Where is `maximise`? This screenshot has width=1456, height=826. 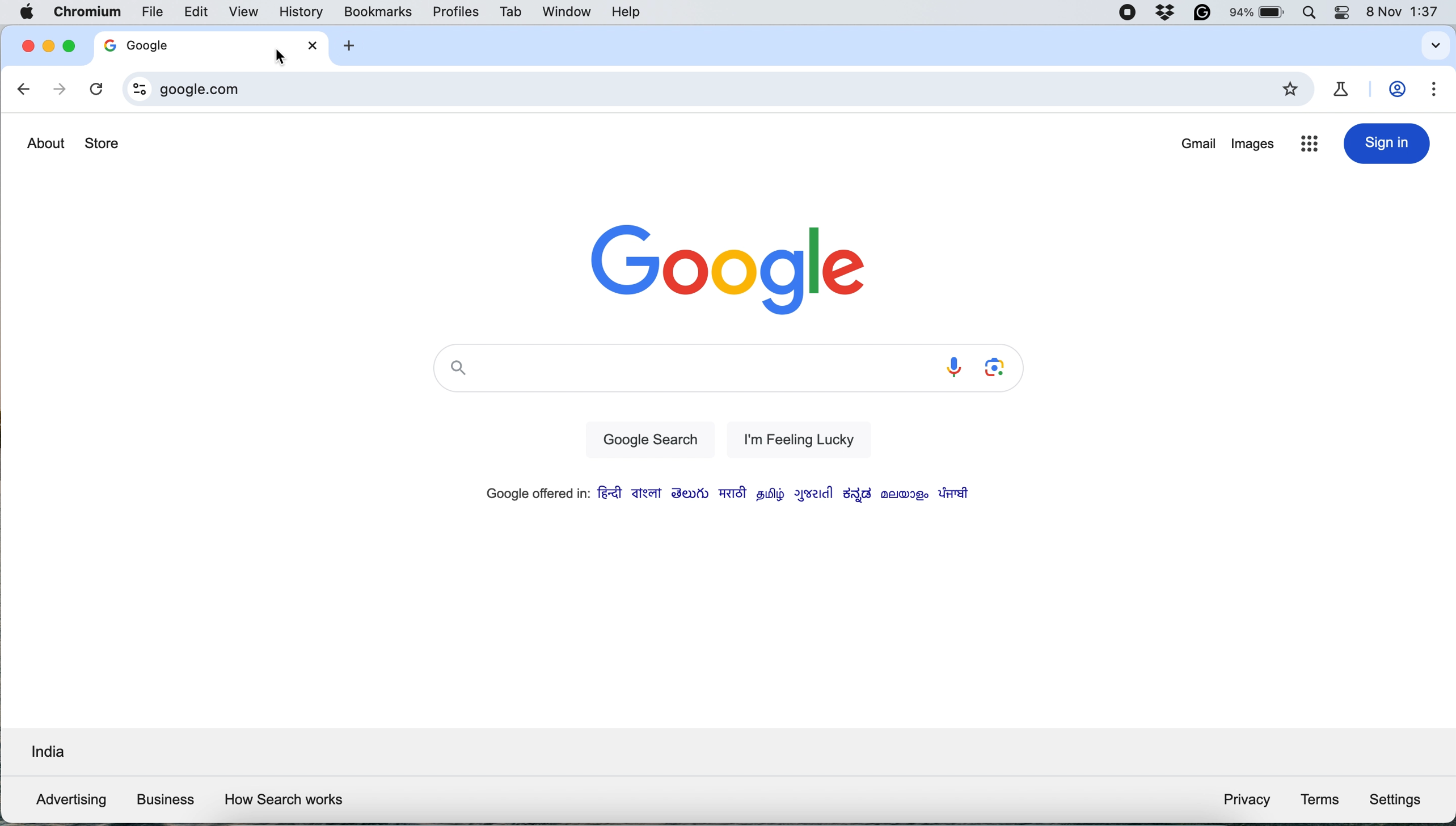
maximise is located at coordinates (66, 46).